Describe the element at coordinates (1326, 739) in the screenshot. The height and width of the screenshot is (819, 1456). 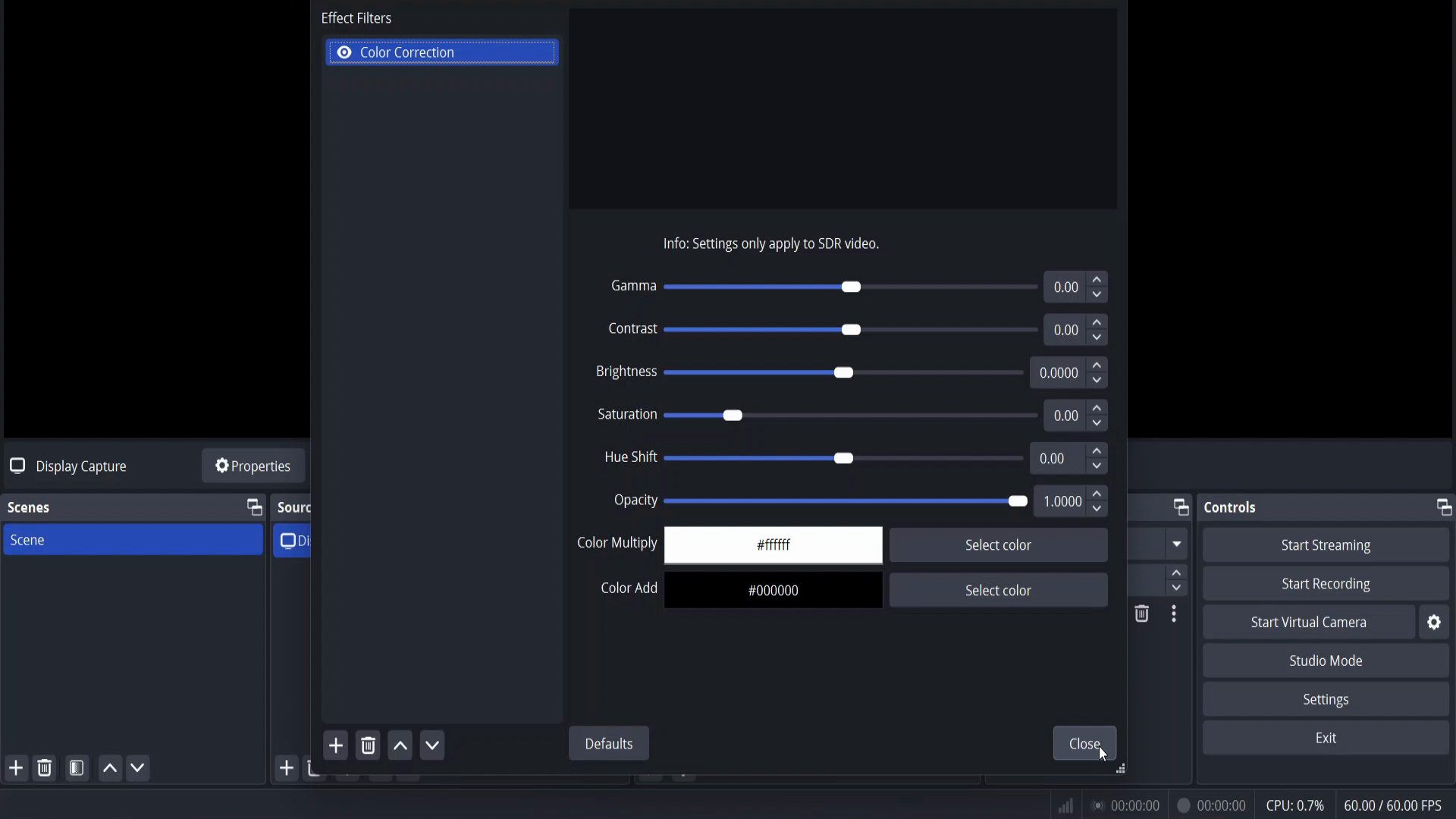
I see `exit` at that location.